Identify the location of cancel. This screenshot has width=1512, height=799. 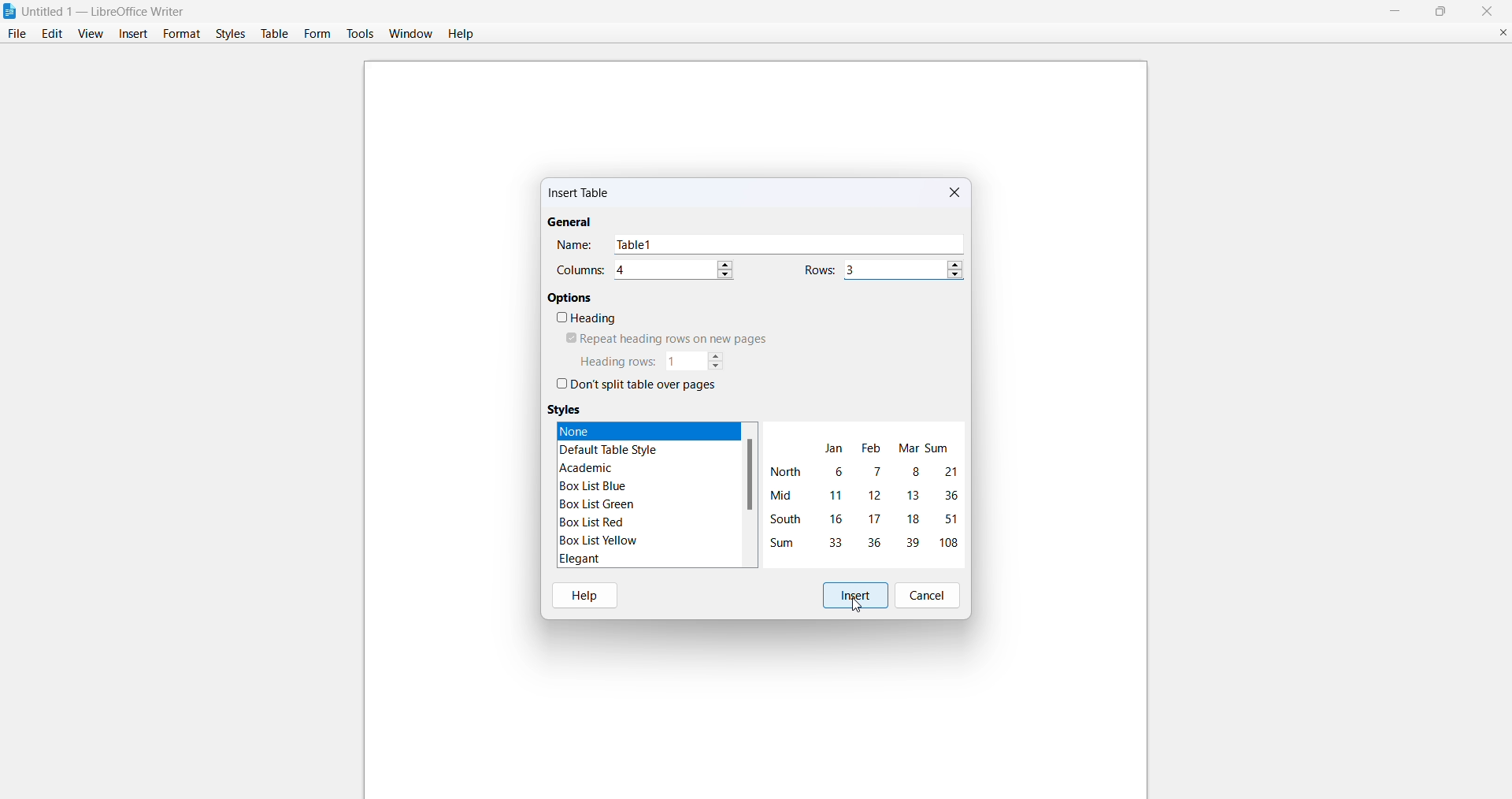
(931, 595).